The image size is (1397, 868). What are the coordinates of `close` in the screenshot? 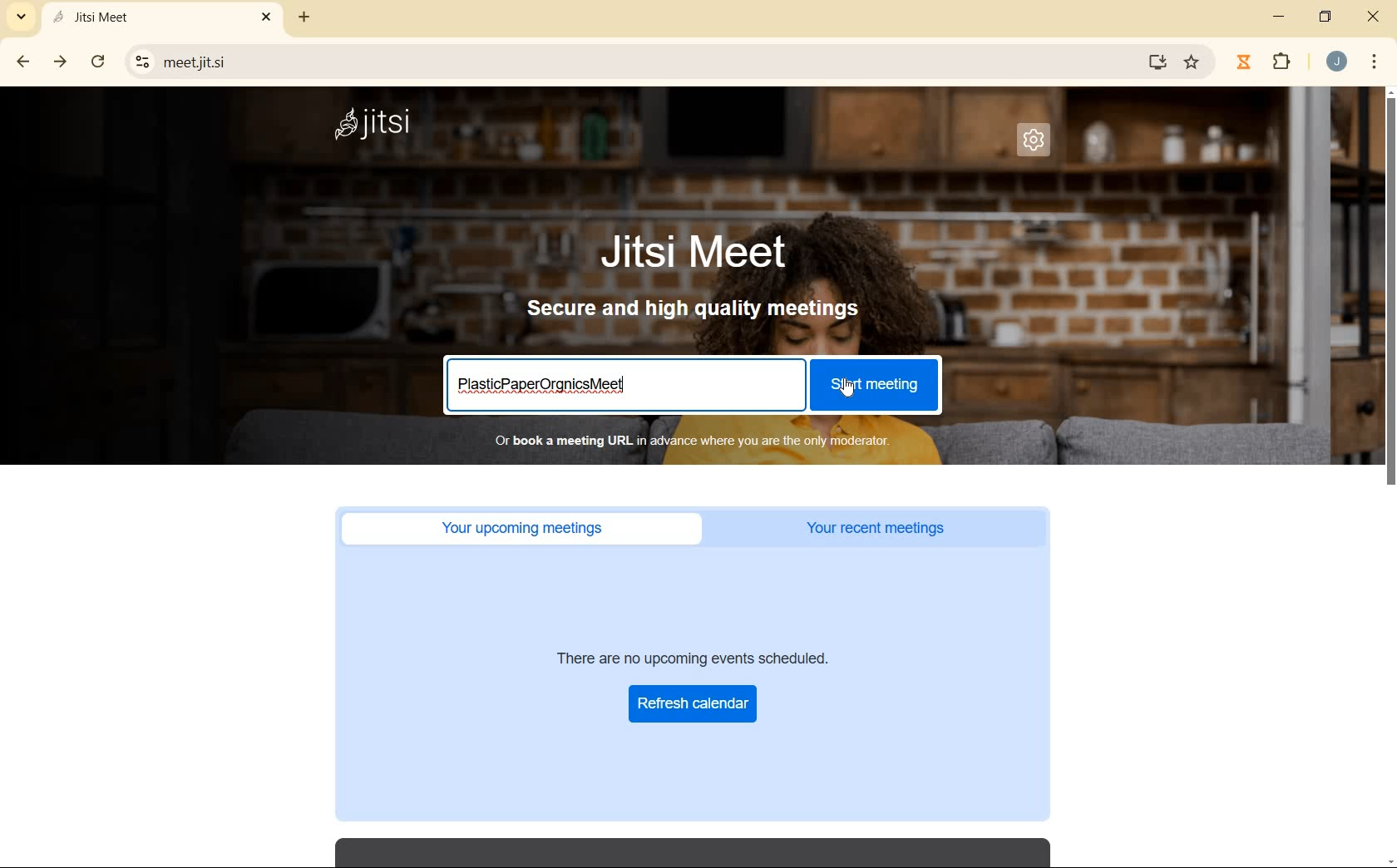 It's located at (1374, 19).